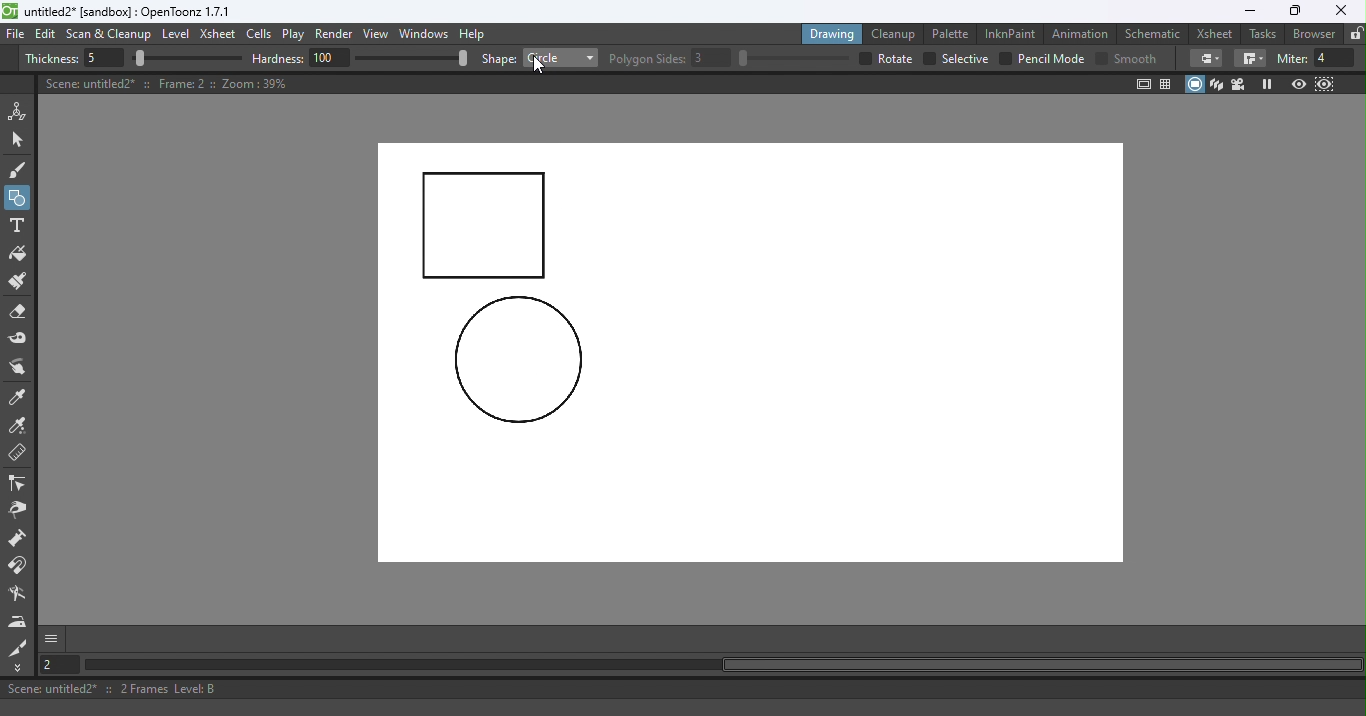 The image size is (1366, 716). I want to click on slider, so click(411, 57).